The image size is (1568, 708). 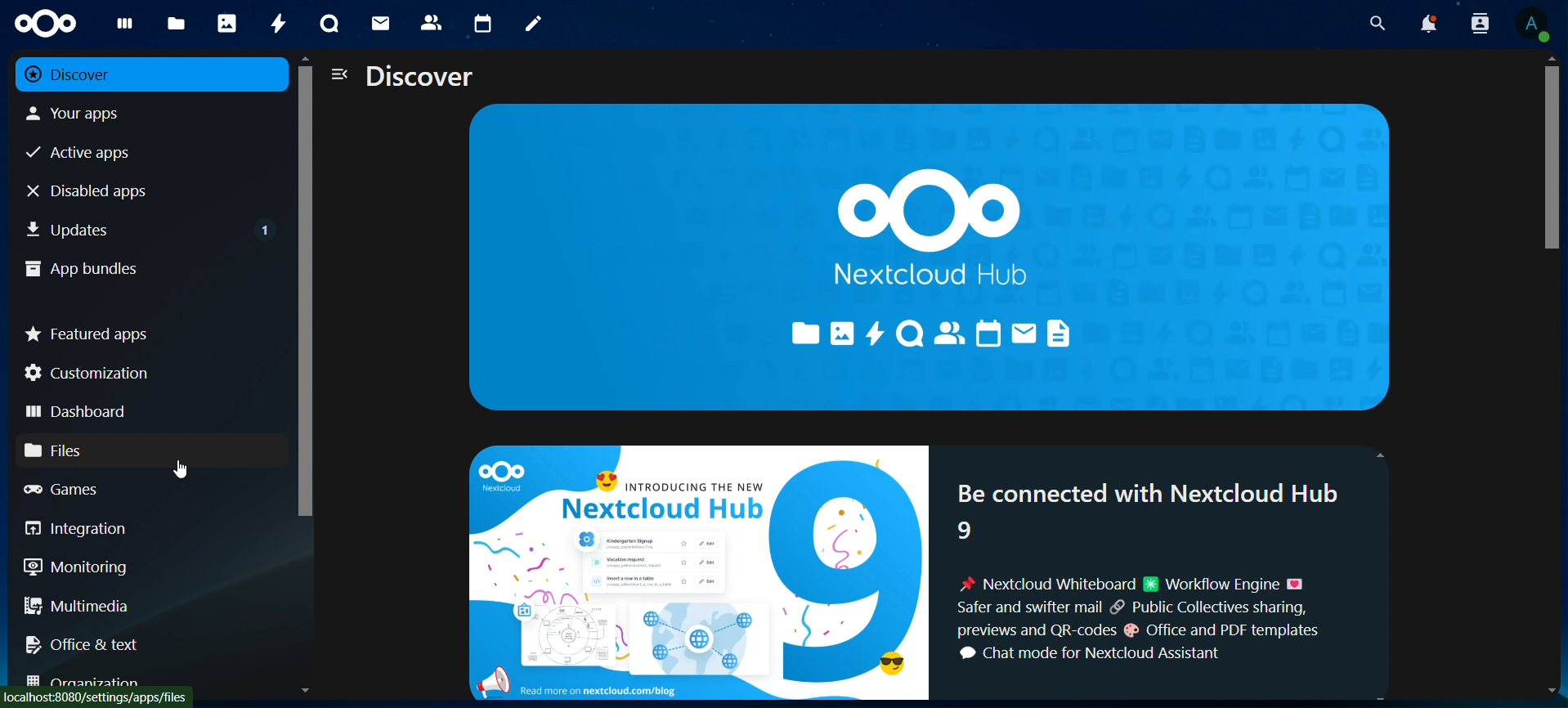 What do you see at coordinates (930, 254) in the screenshot?
I see `nextcloud hub` at bounding box center [930, 254].